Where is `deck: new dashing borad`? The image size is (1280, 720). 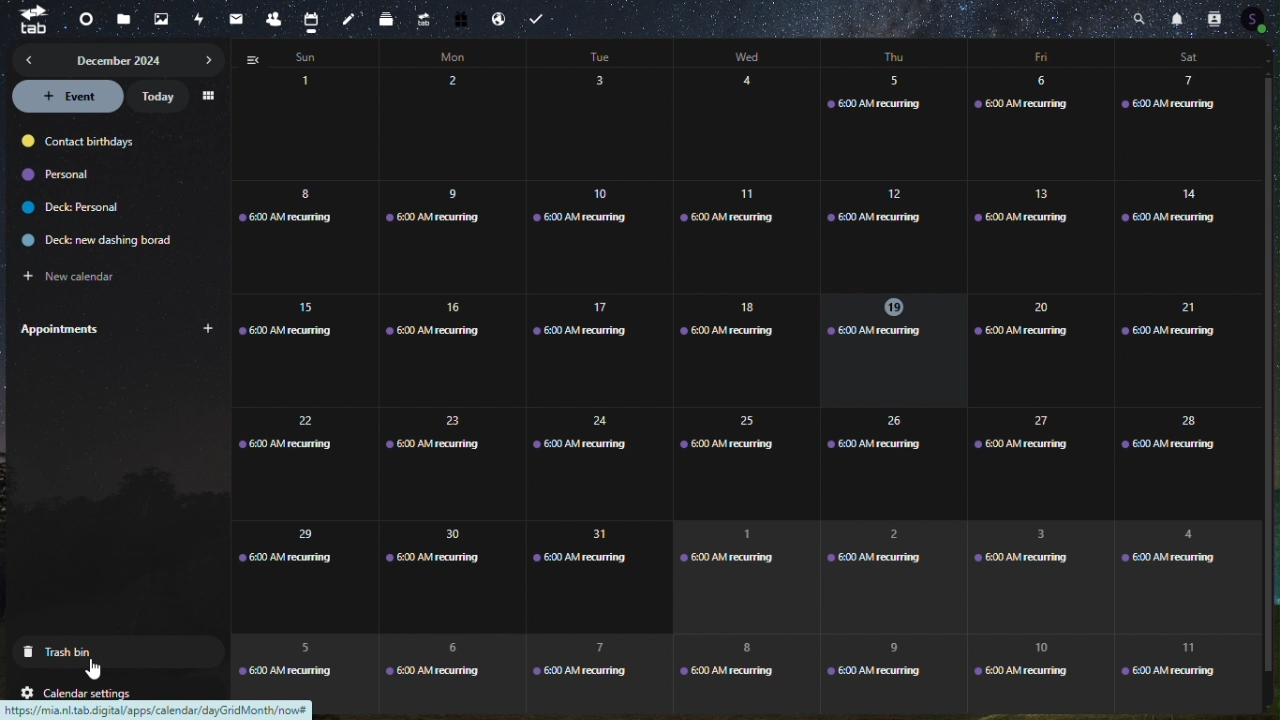
deck: new dashing borad is located at coordinates (89, 240).